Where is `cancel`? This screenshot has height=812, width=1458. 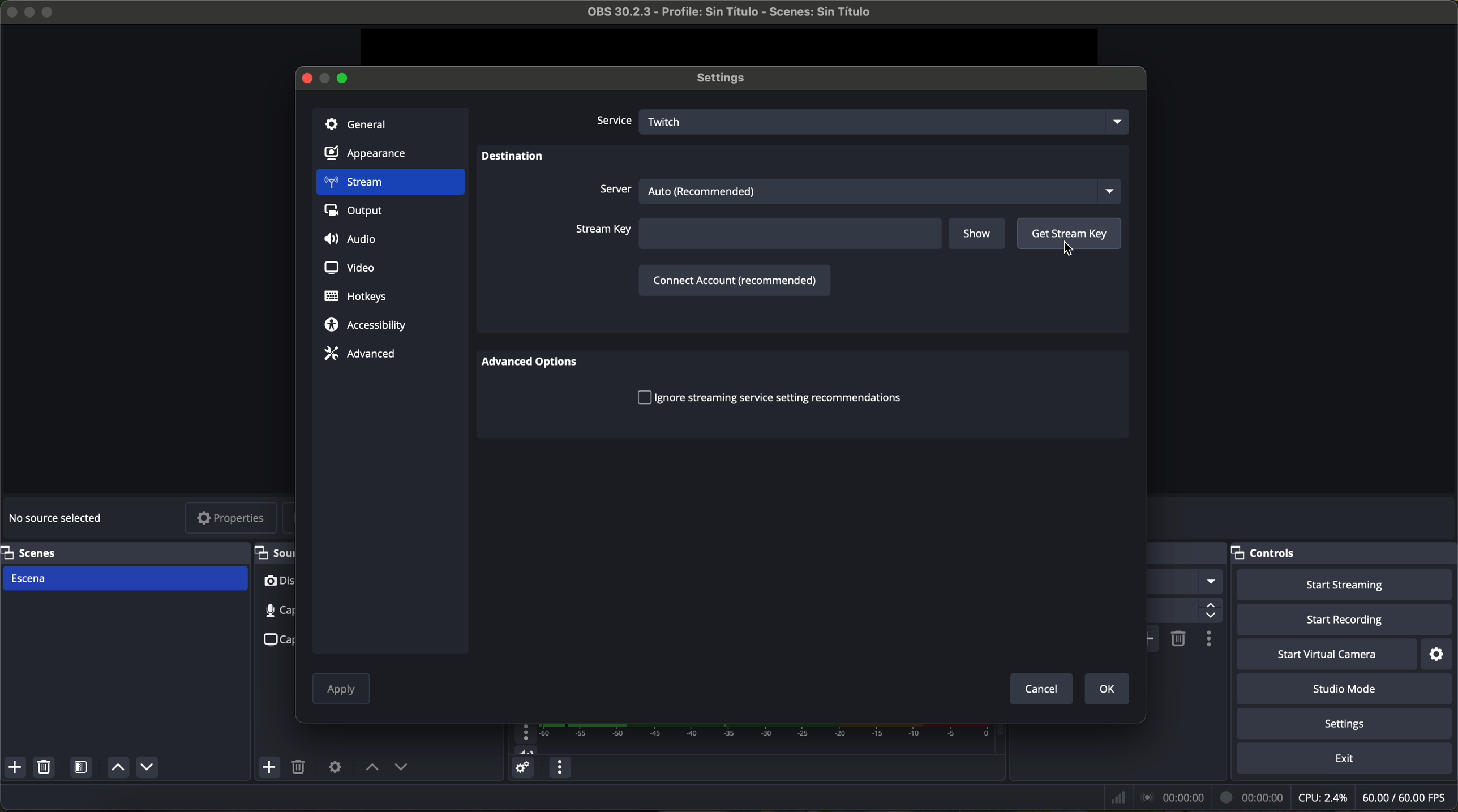
cancel is located at coordinates (1040, 688).